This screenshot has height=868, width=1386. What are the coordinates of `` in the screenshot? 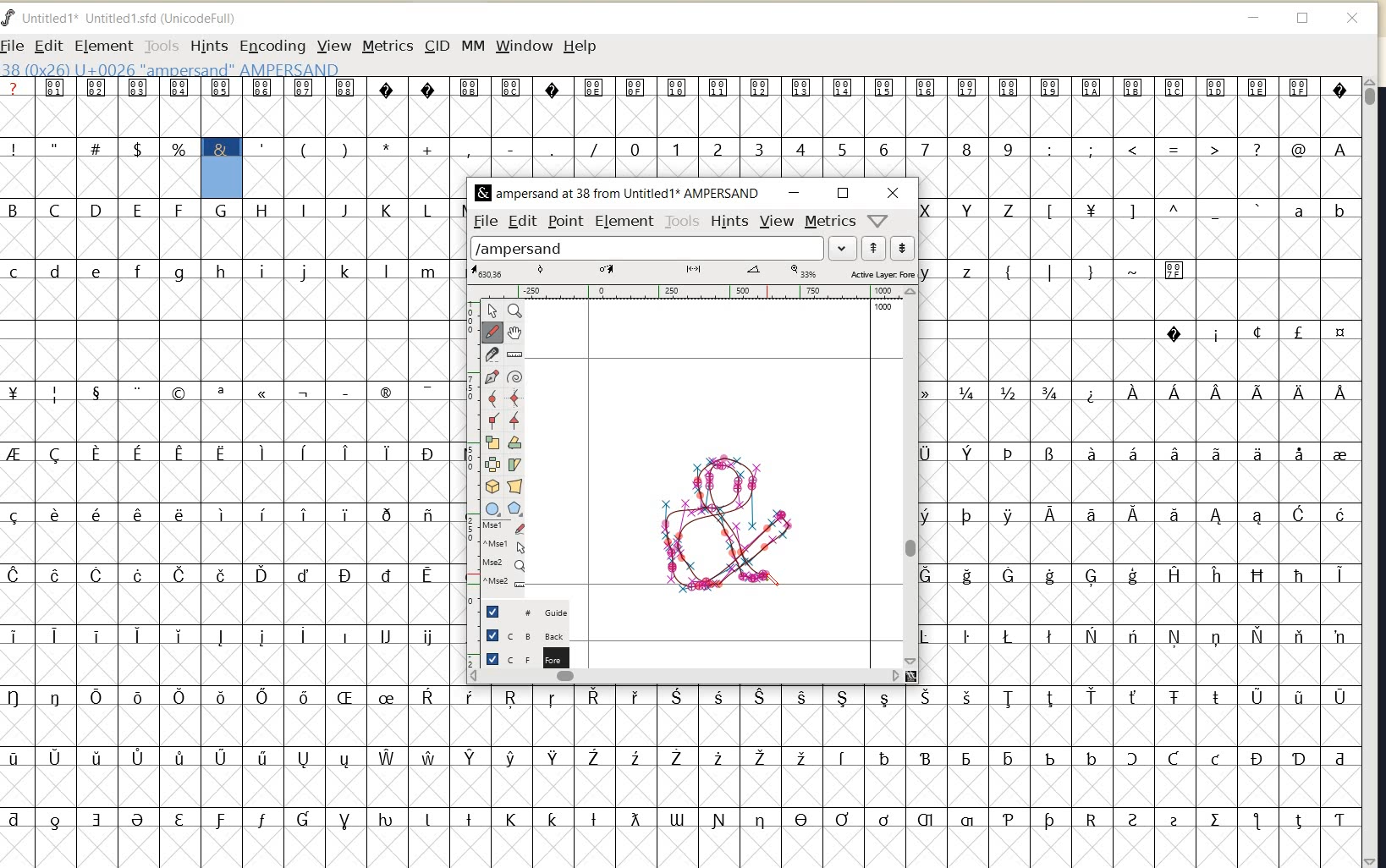 It's located at (517, 509).